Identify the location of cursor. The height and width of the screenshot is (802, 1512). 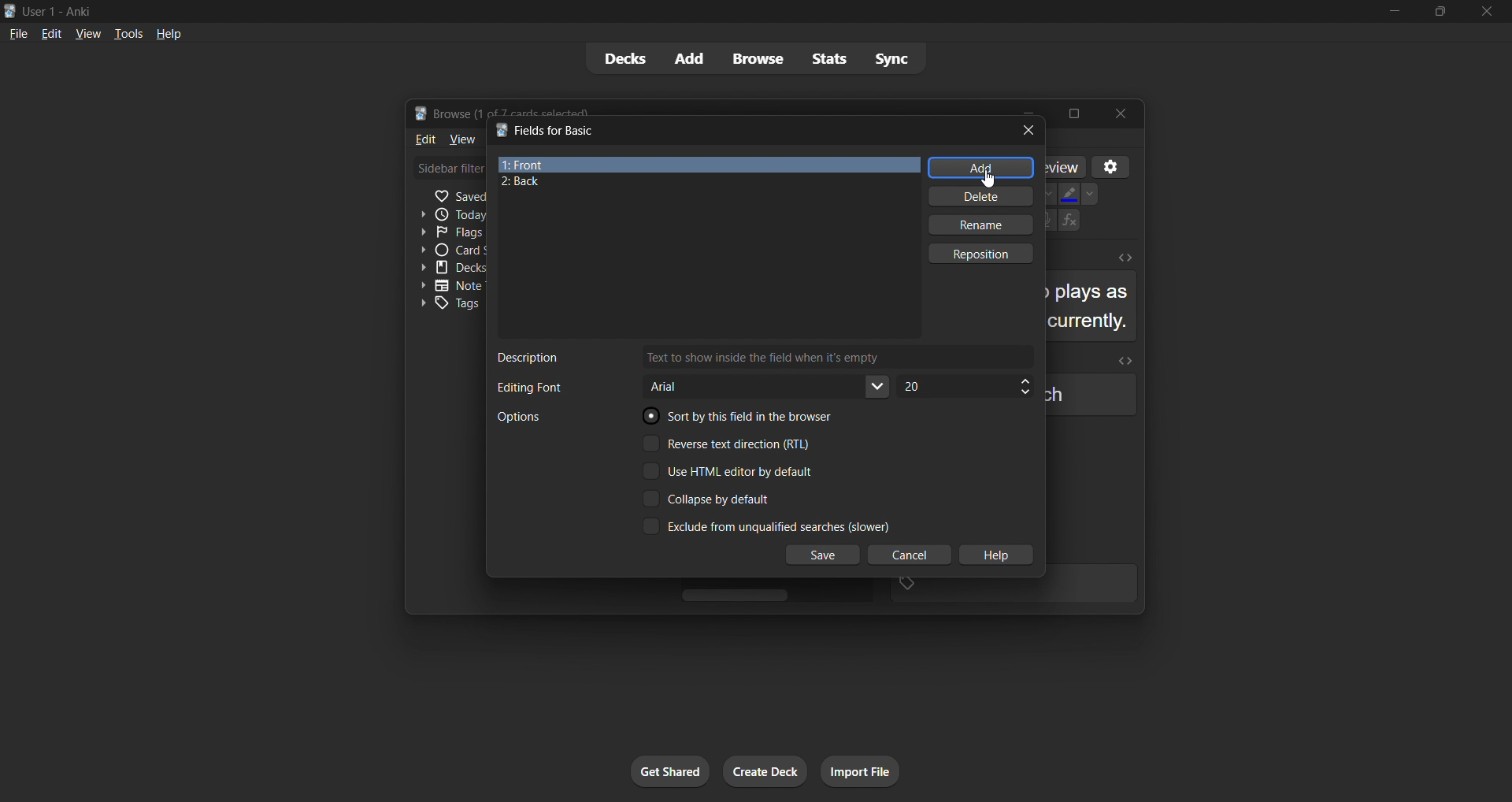
(988, 177).